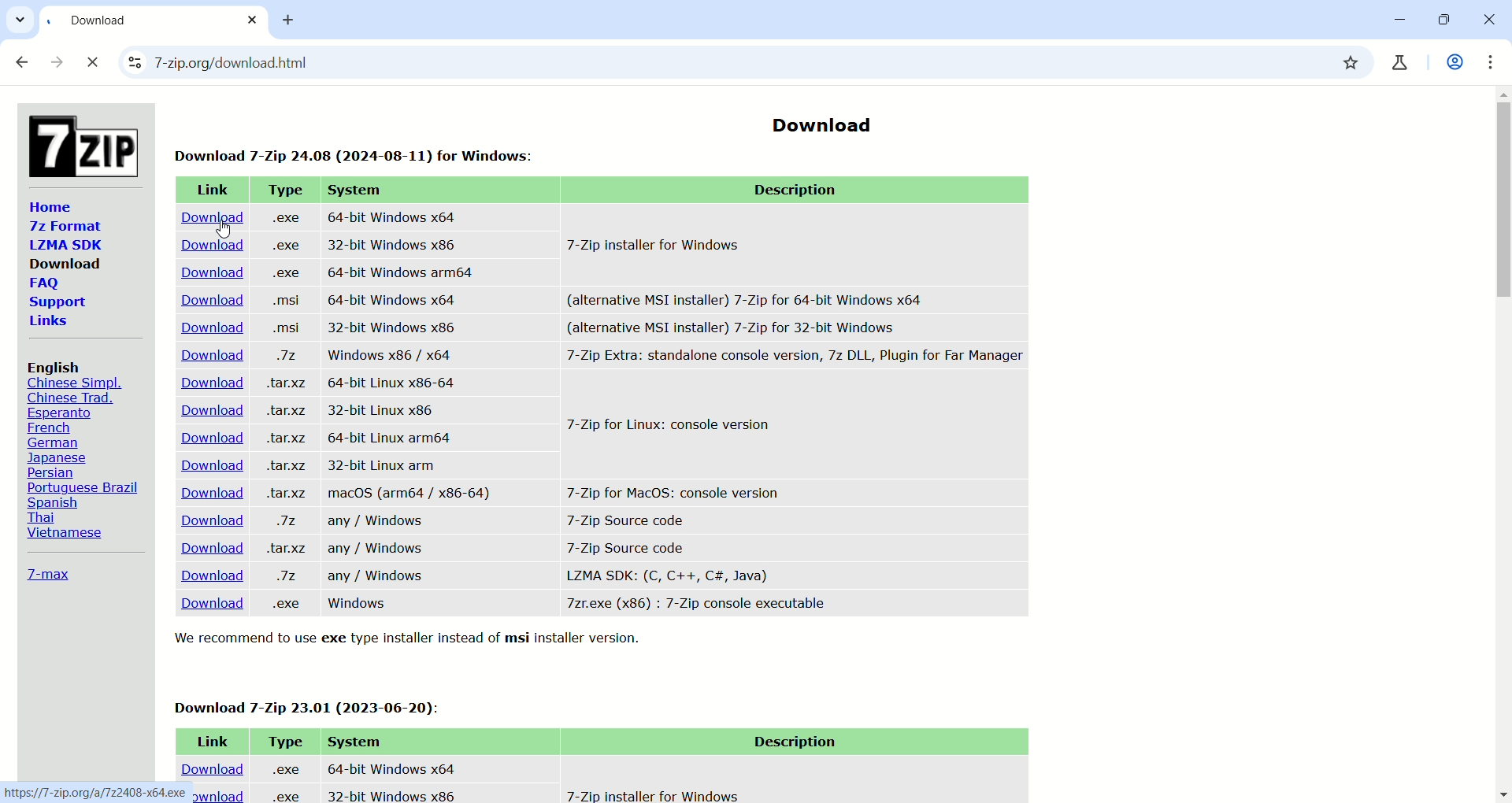 This screenshot has height=803, width=1512. What do you see at coordinates (61, 228) in the screenshot?
I see `7z Format` at bounding box center [61, 228].